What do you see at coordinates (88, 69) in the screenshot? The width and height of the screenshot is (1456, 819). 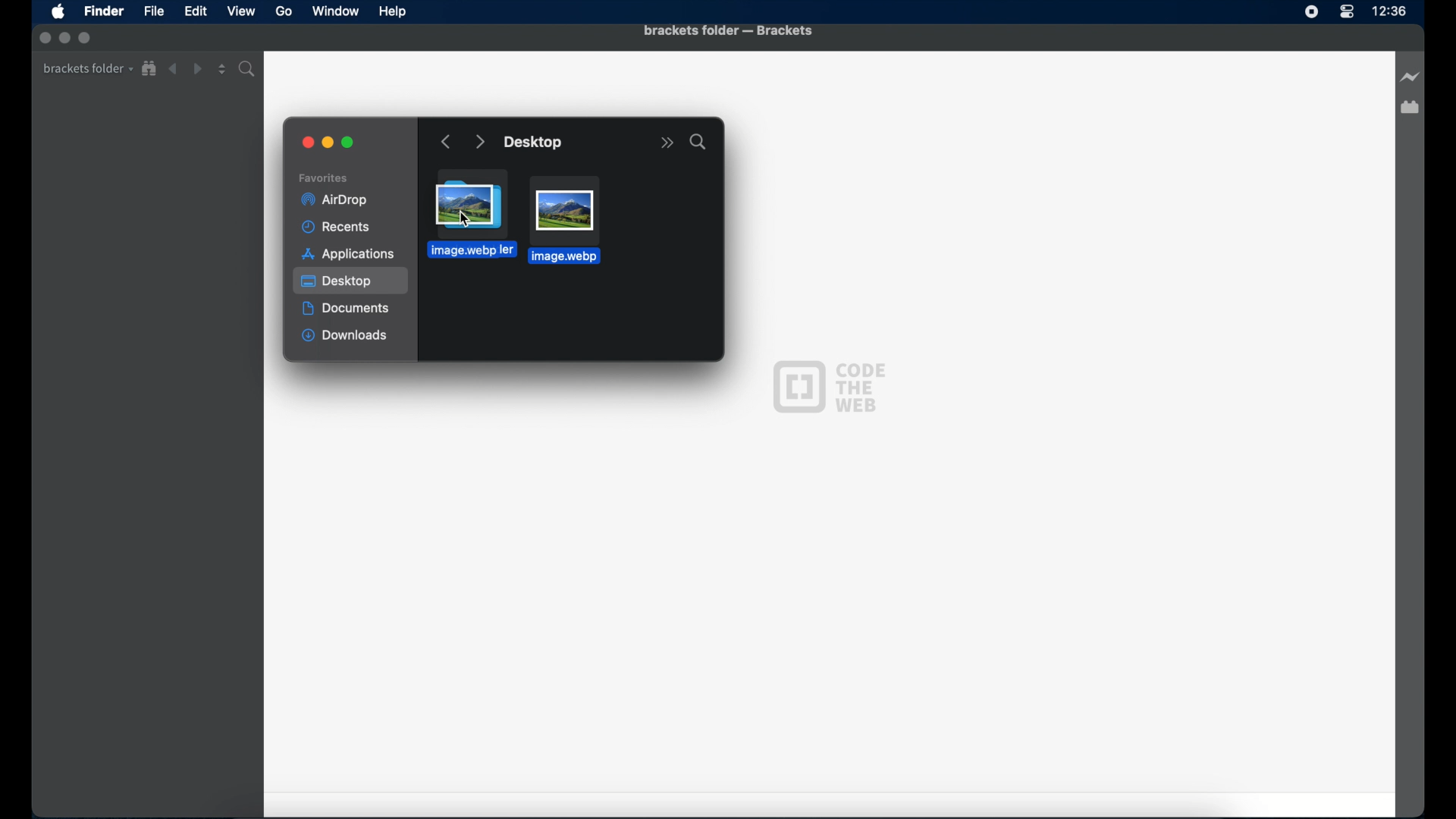 I see `brackets folder` at bounding box center [88, 69].